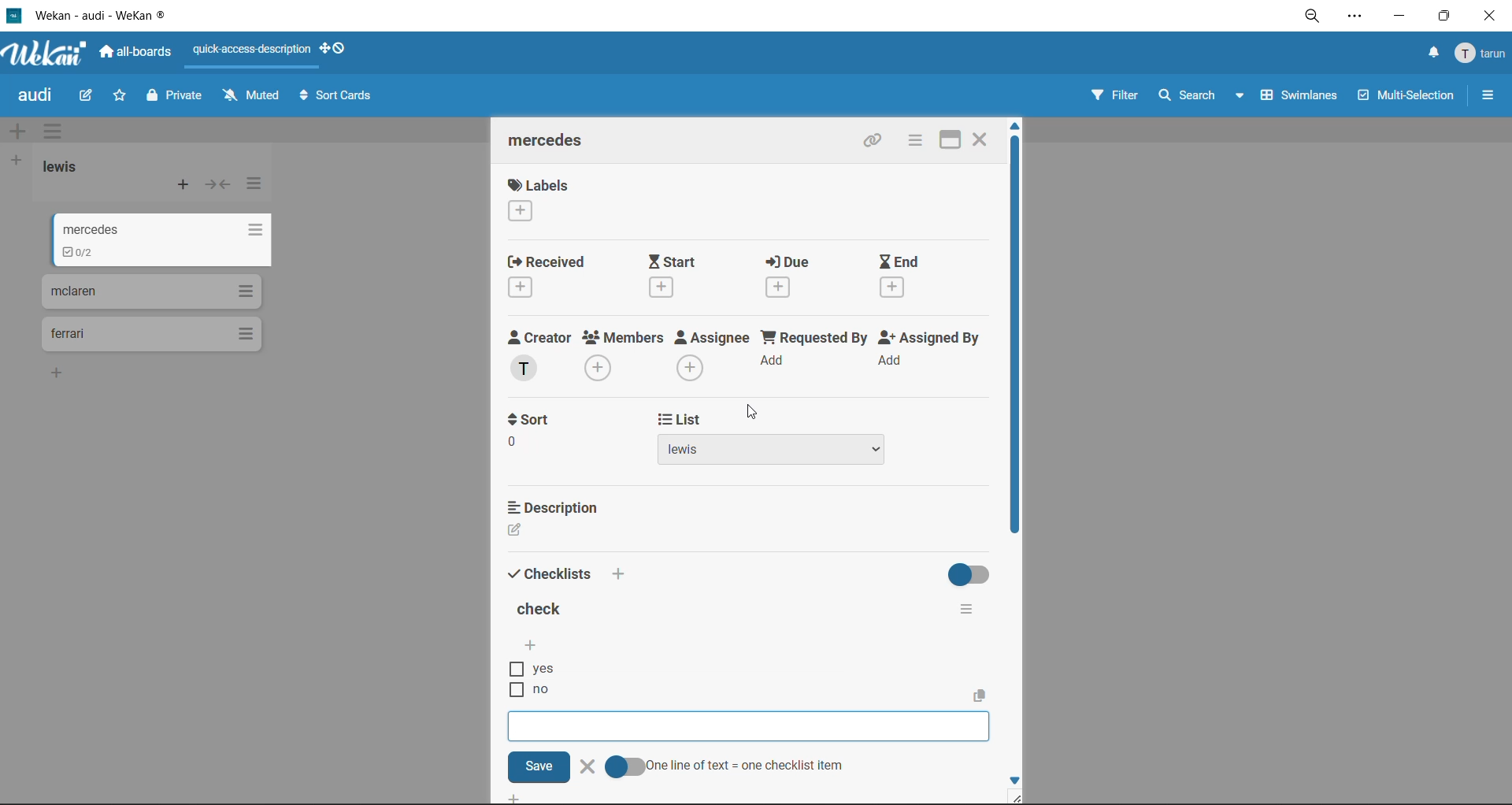 The width and height of the screenshot is (1512, 805). Describe the element at coordinates (555, 530) in the screenshot. I see `description` at that location.